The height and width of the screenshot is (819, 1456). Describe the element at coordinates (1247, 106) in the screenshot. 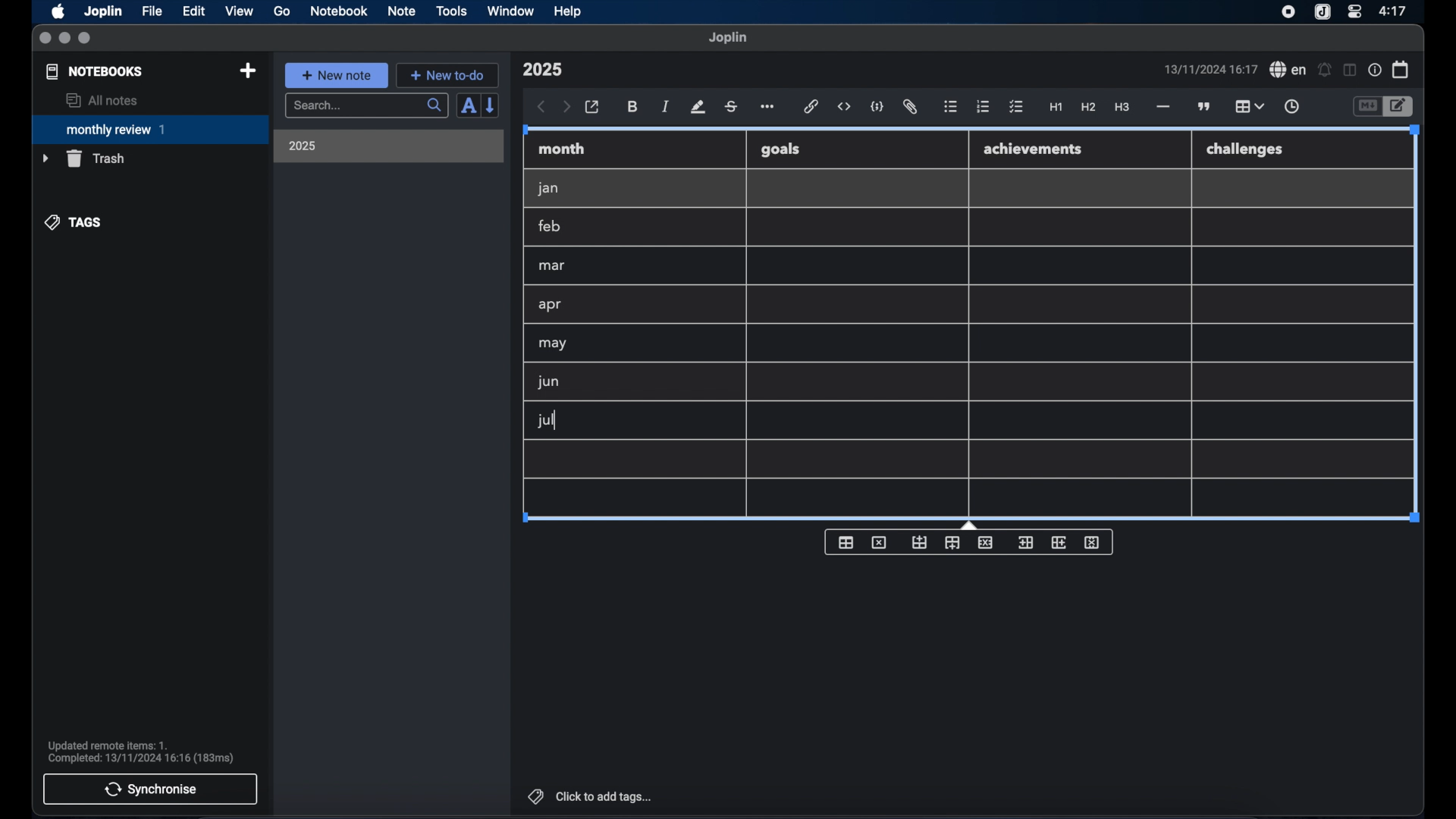

I see `table highlighted` at that location.